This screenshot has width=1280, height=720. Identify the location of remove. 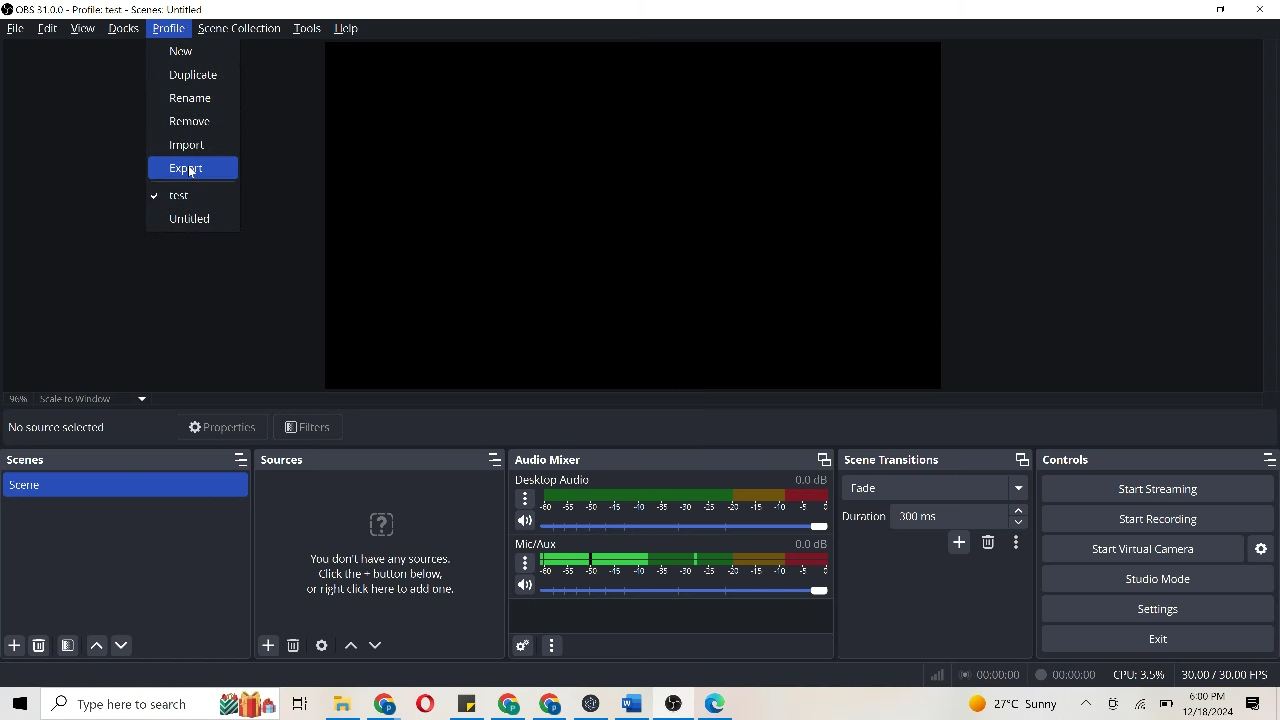
(39, 643).